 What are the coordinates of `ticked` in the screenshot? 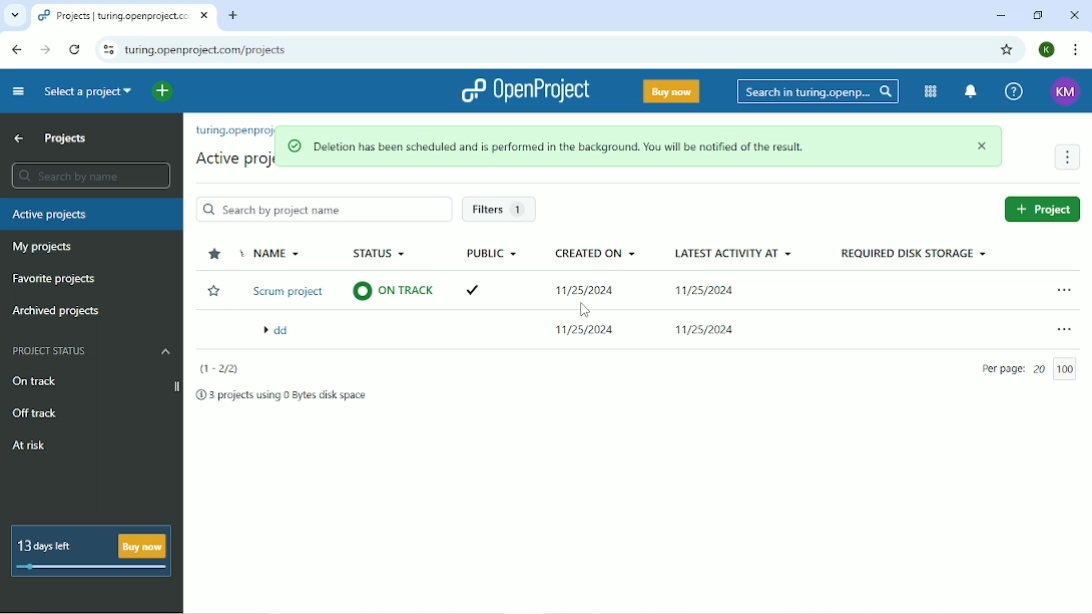 It's located at (480, 291).